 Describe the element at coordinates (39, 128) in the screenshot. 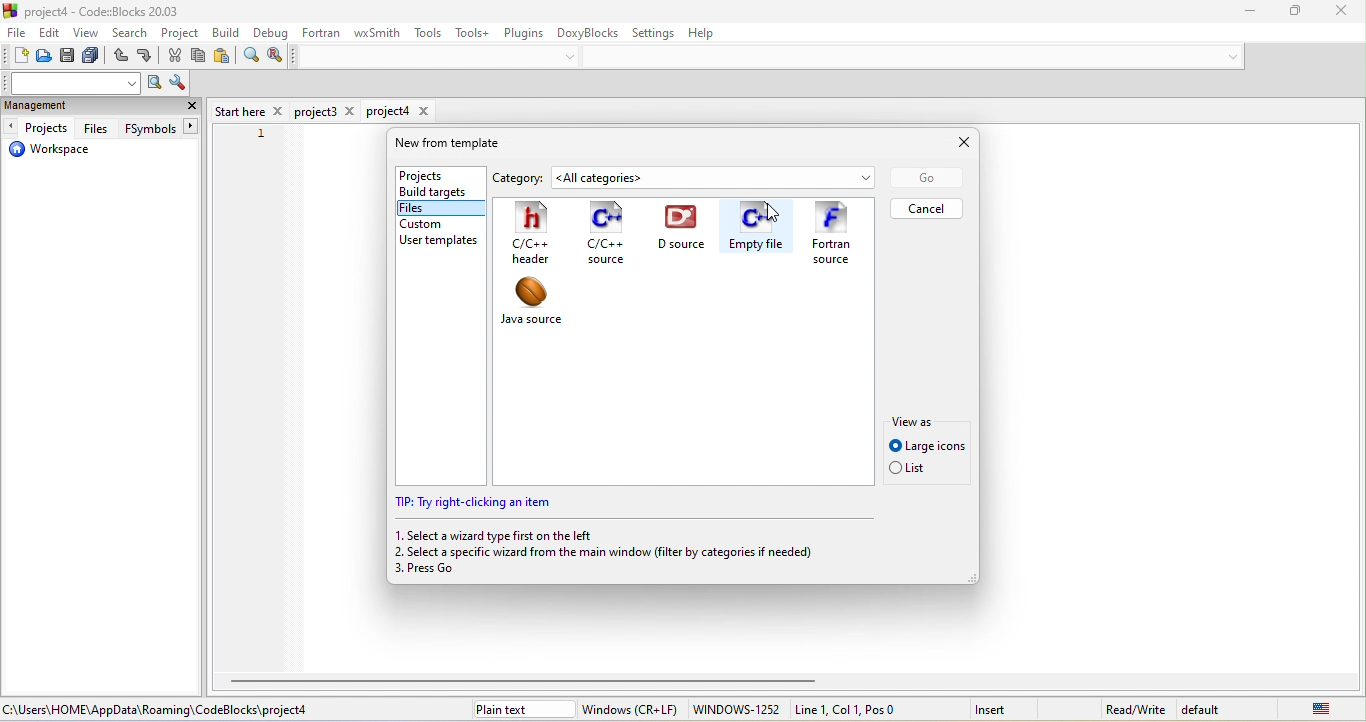

I see `projects` at that location.